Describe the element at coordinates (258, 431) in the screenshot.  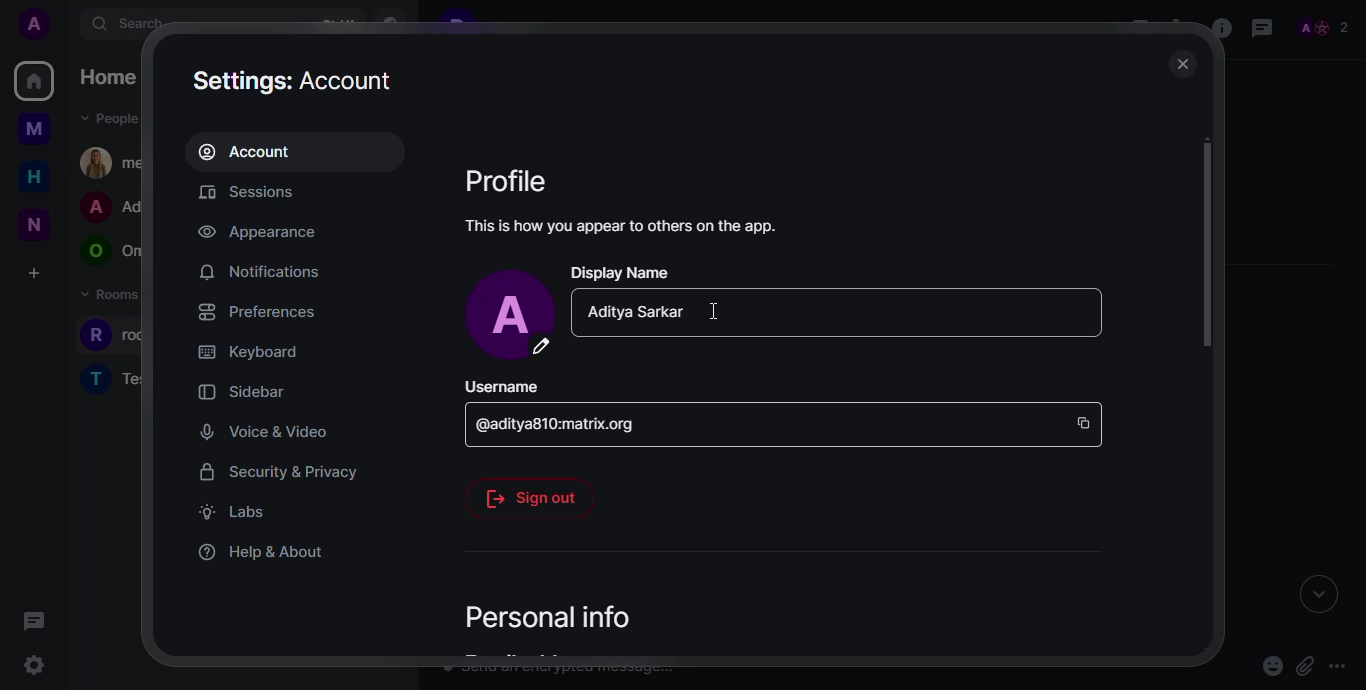
I see `voice & video` at that location.